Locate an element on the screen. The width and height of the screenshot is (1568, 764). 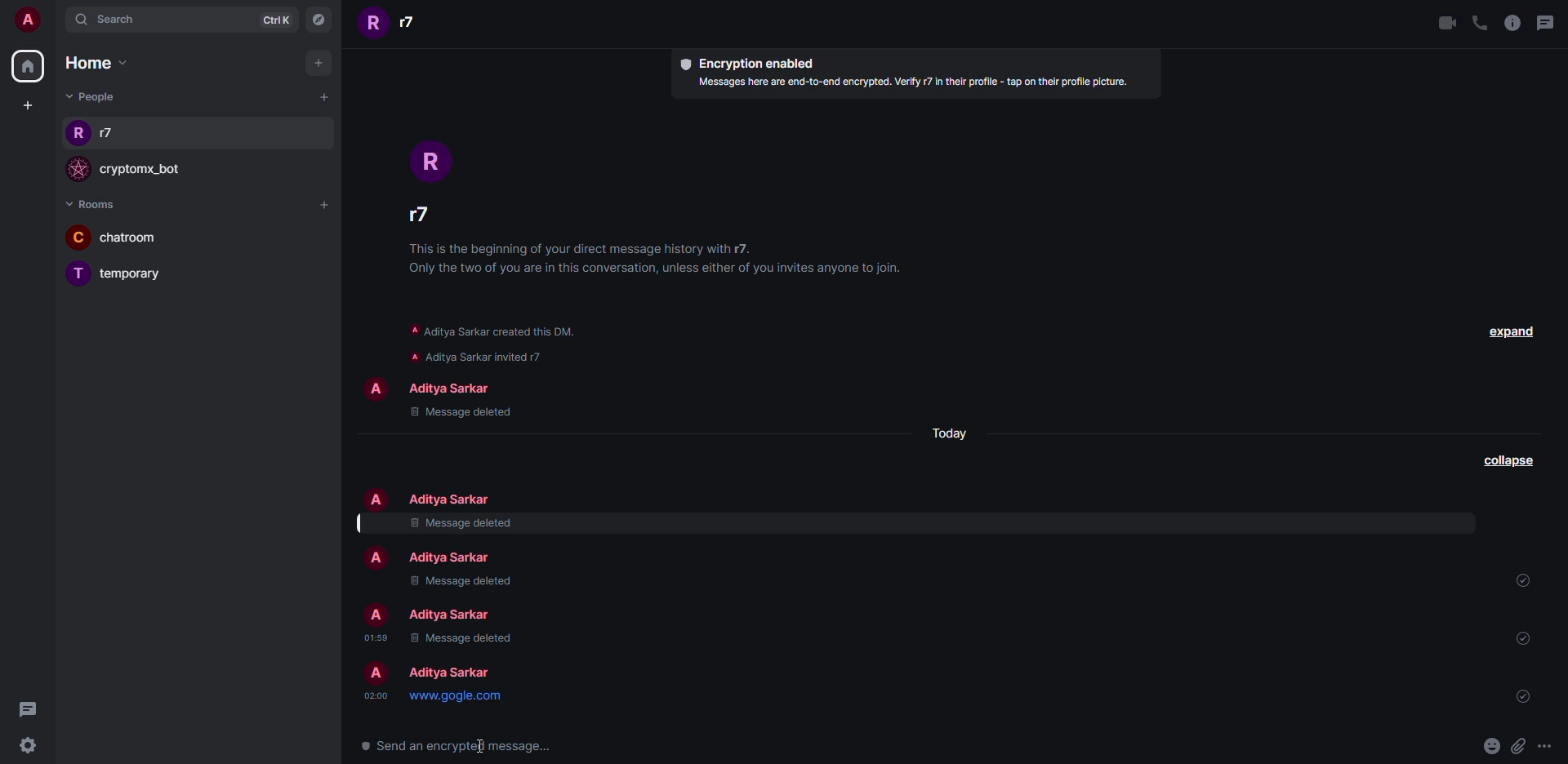
add is located at coordinates (318, 63).